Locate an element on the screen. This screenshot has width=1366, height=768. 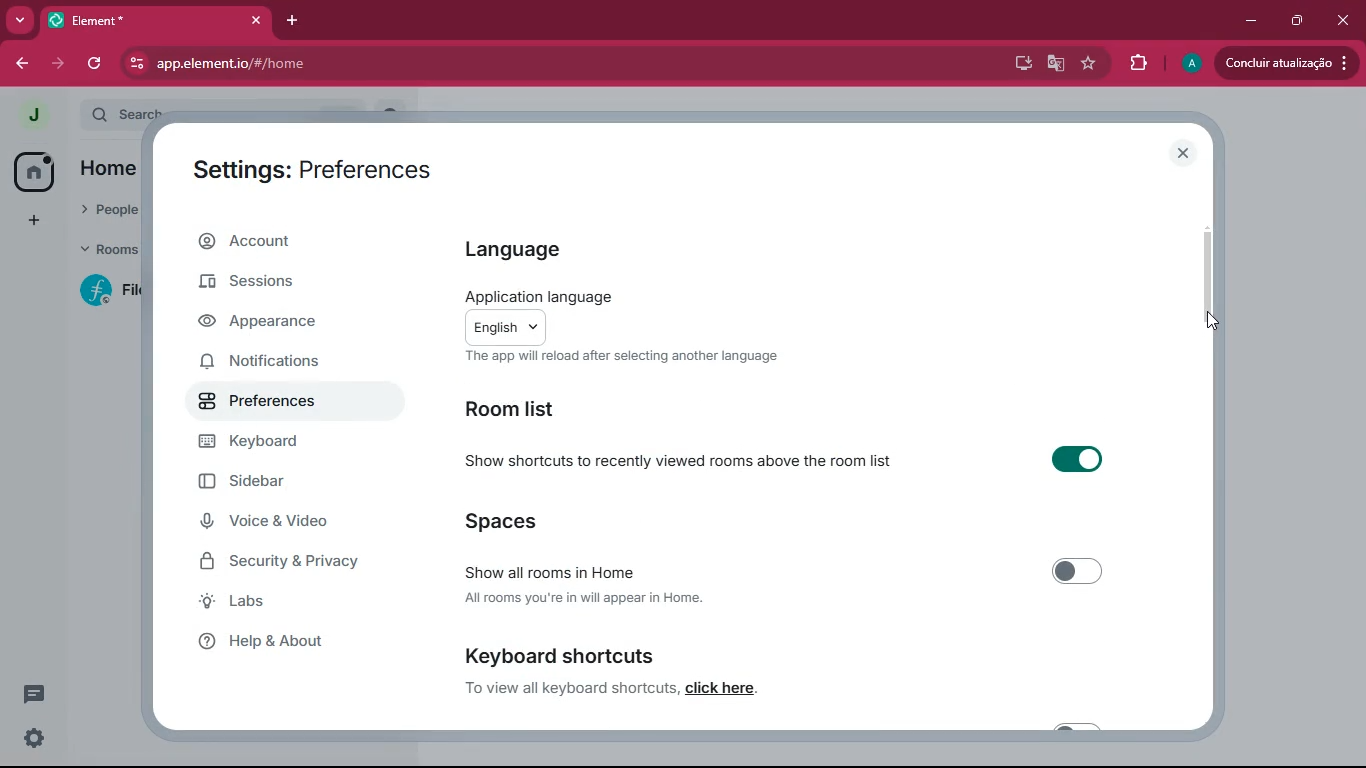
settings is located at coordinates (30, 739).